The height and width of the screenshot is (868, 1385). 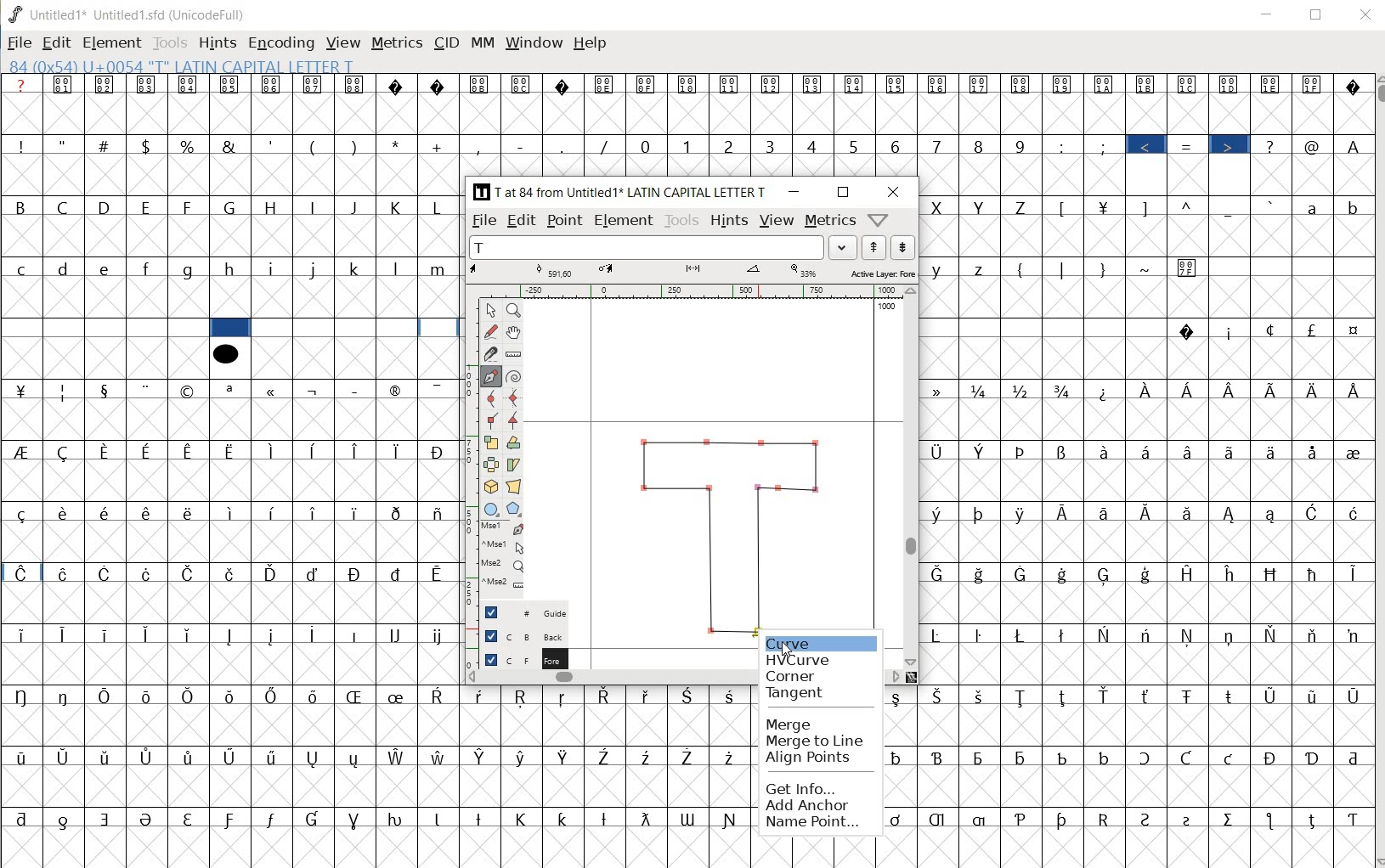 I want to click on Symbol, so click(x=1314, y=389).